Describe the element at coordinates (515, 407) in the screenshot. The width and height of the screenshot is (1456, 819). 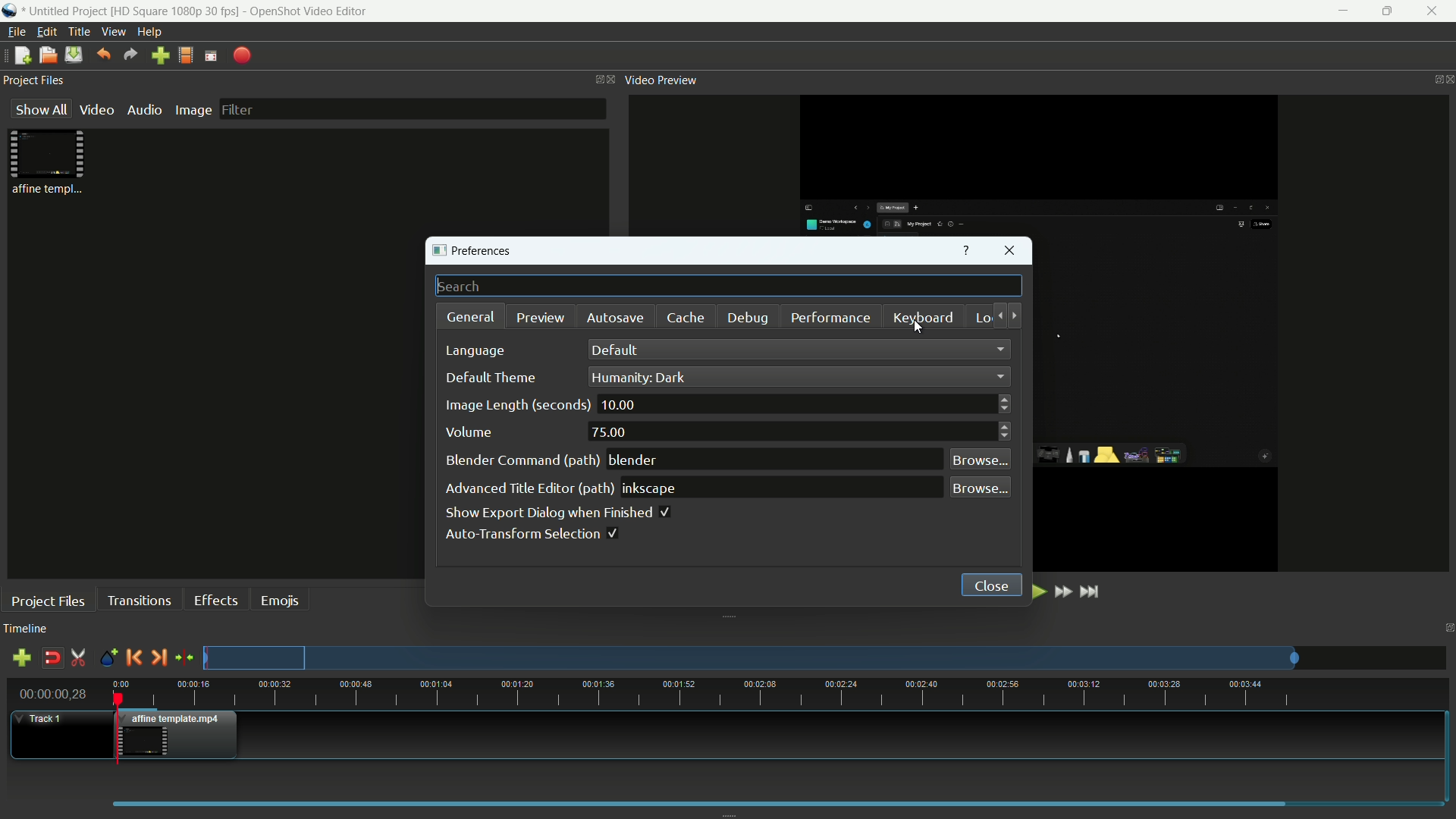
I see `image length` at that location.